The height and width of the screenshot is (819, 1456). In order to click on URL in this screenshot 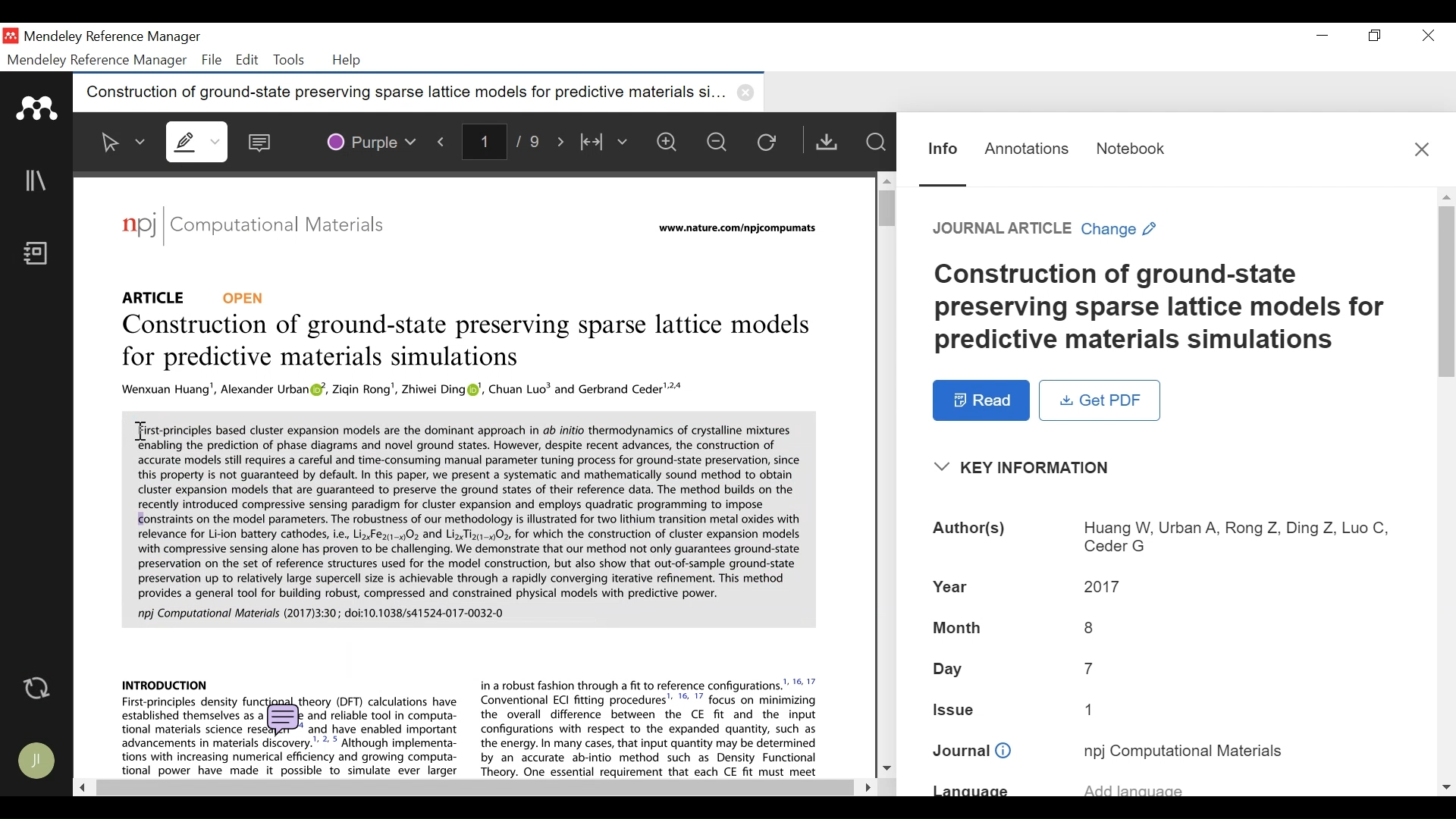, I will do `click(740, 229)`.